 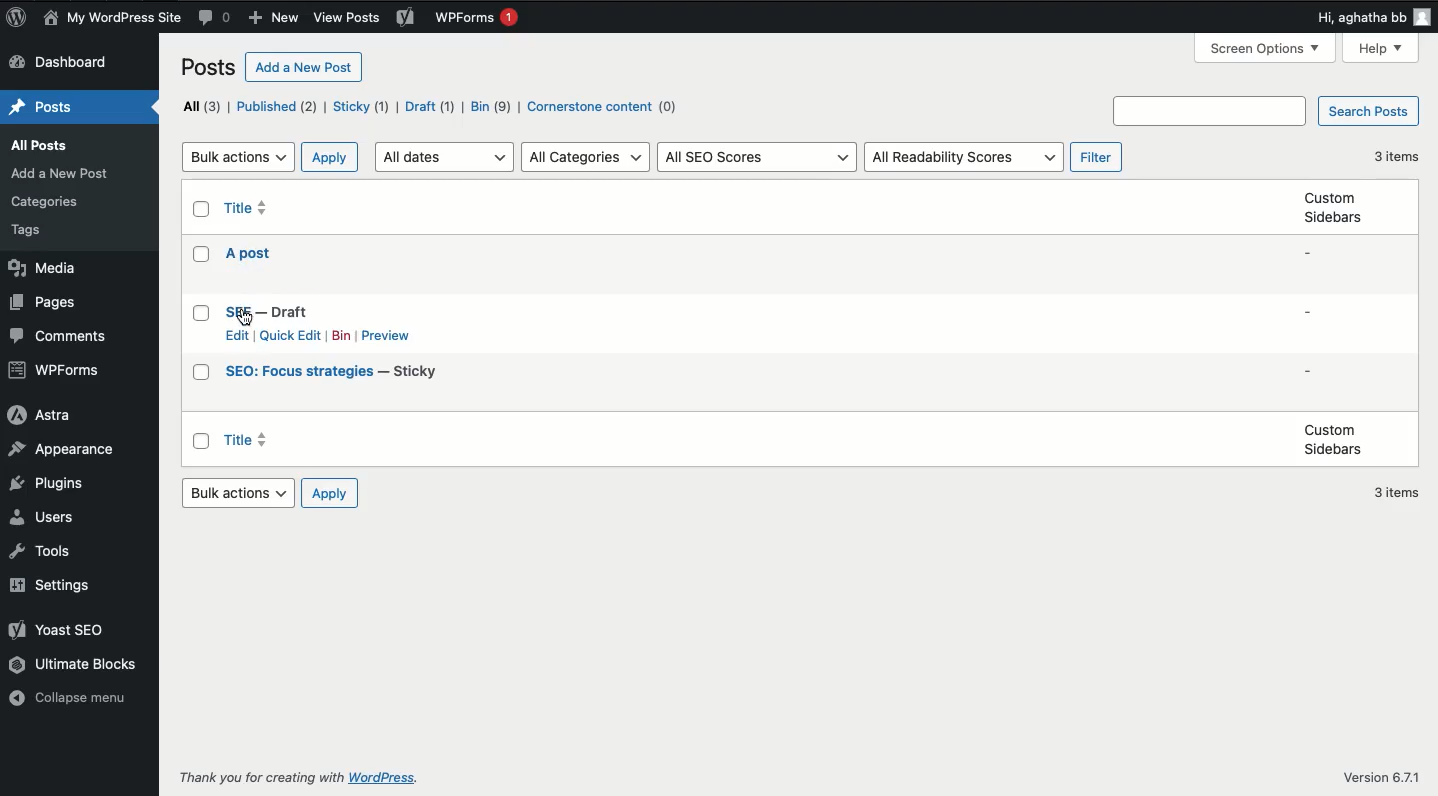 I want to click on Checkbox, so click(x=202, y=442).